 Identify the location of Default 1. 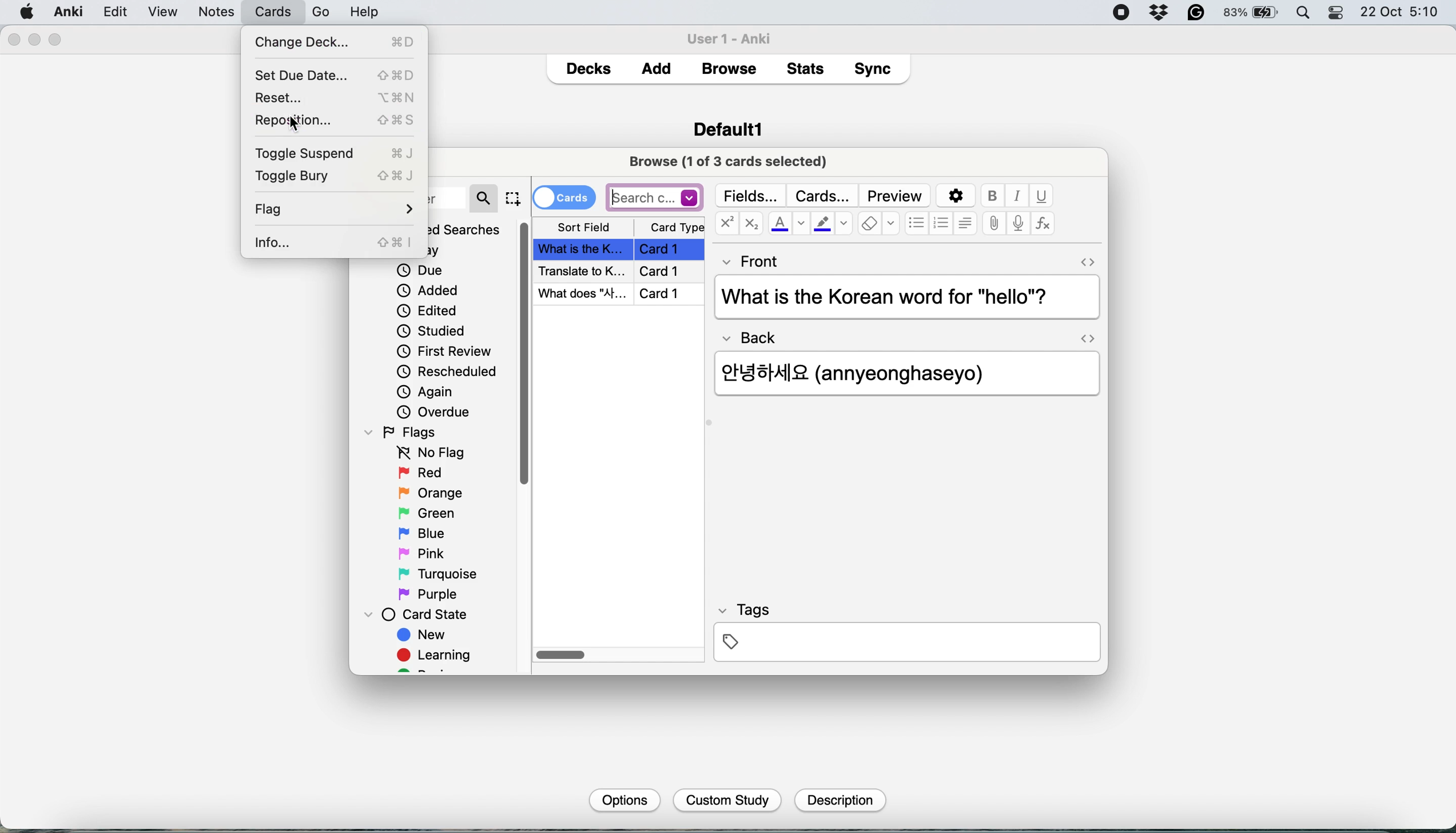
(728, 128).